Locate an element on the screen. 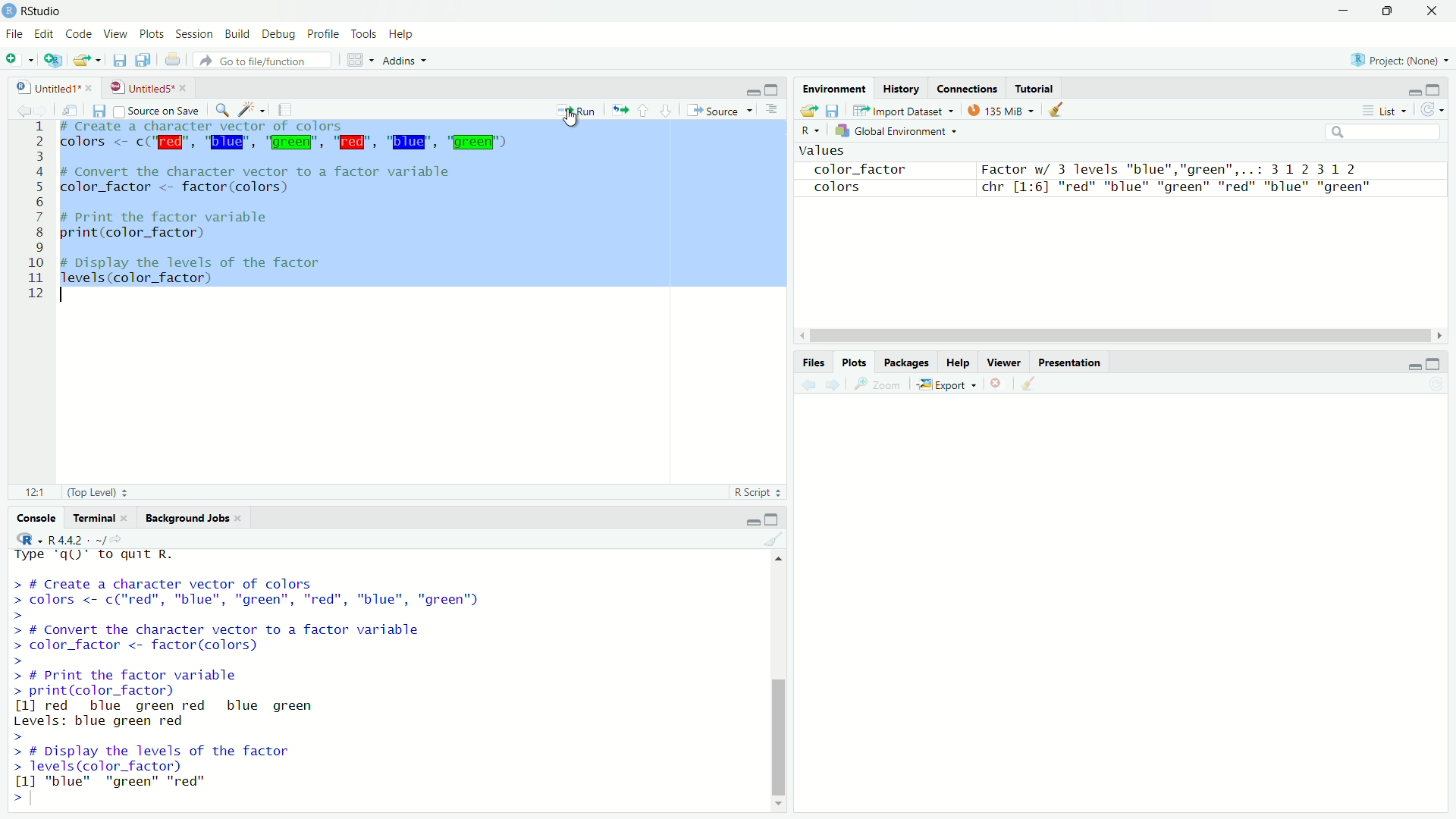 The height and width of the screenshot is (819, 1456). next plot is located at coordinates (831, 384).